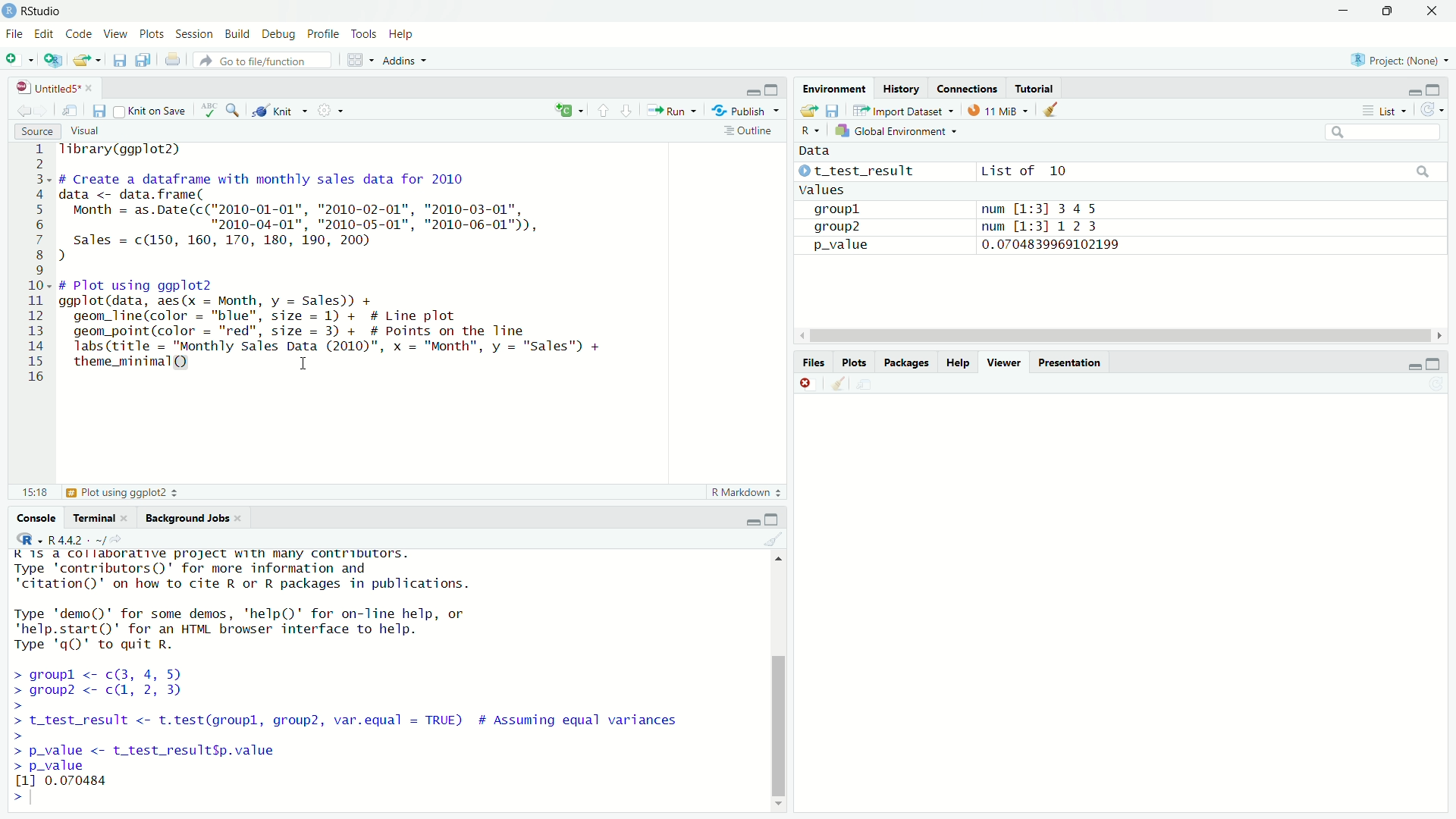 This screenshot has height=819, width=1456. Describe the element at coordinates (959, 226) in the screenshot. I see `aroun? num M-=311 2 3` at that location.